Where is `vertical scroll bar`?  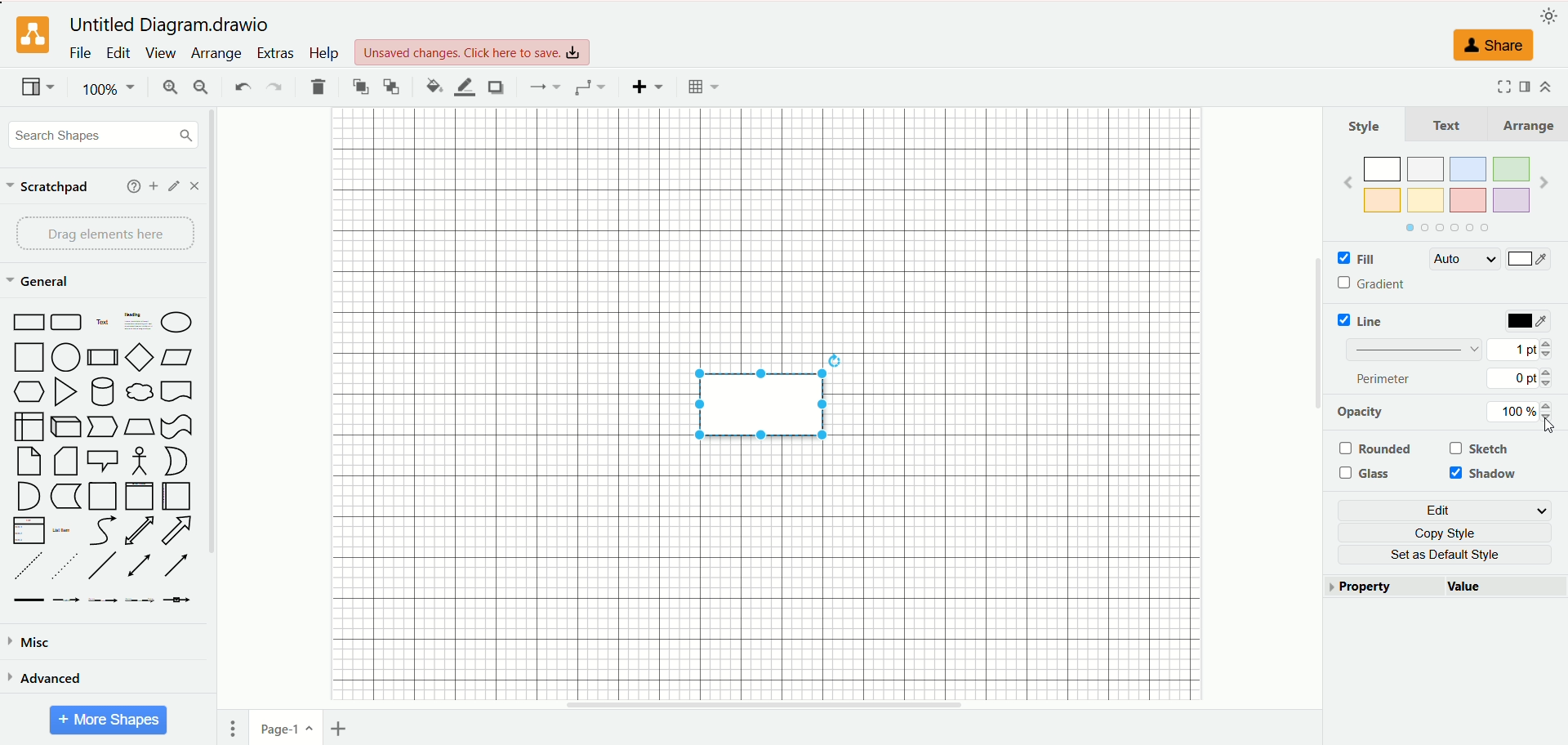
vertical scroll bar is located at coordinates (216, 409).